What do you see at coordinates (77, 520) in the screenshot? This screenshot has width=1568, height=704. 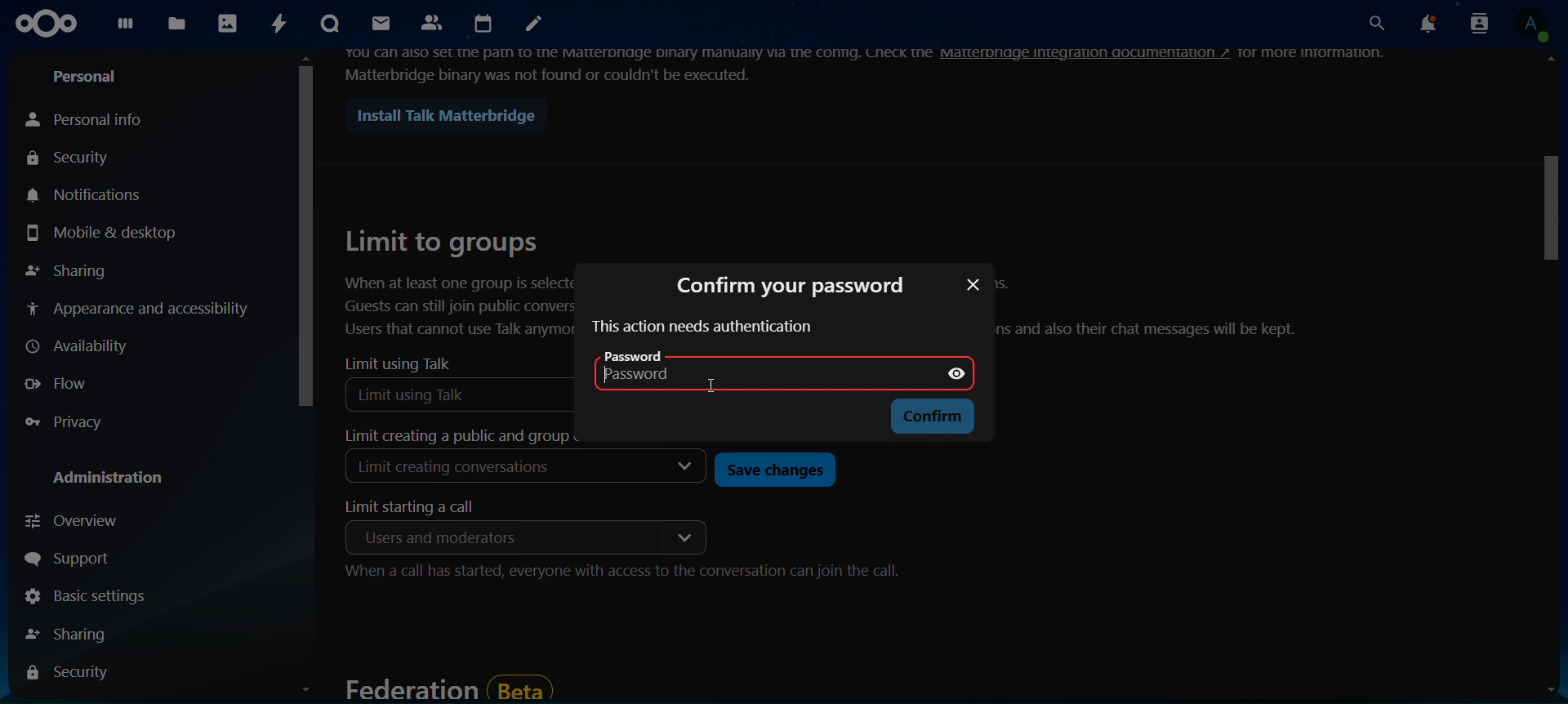 I see `overview` at bounding box center [77, 520].